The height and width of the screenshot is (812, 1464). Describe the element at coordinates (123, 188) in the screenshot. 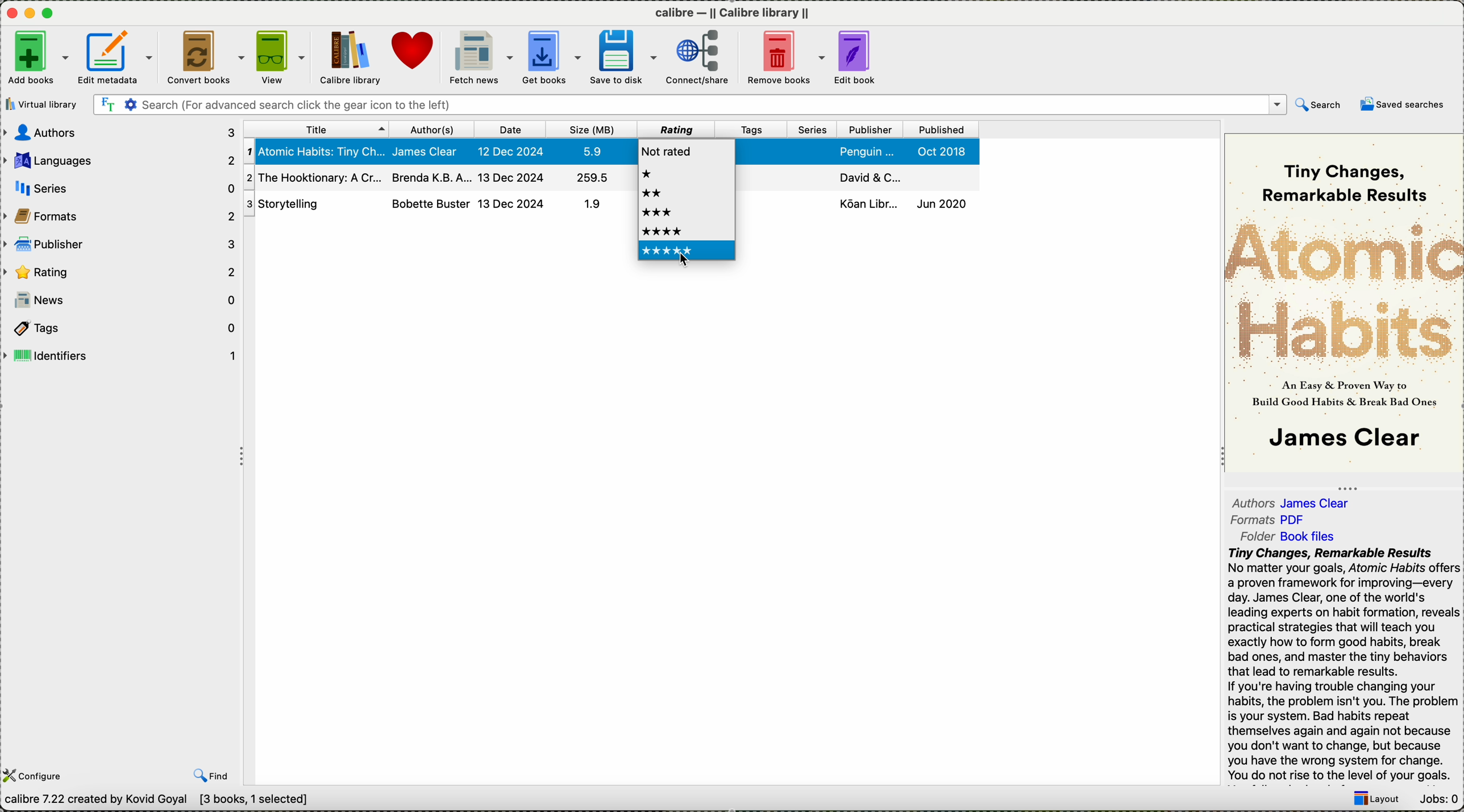

I see `series` at that location.